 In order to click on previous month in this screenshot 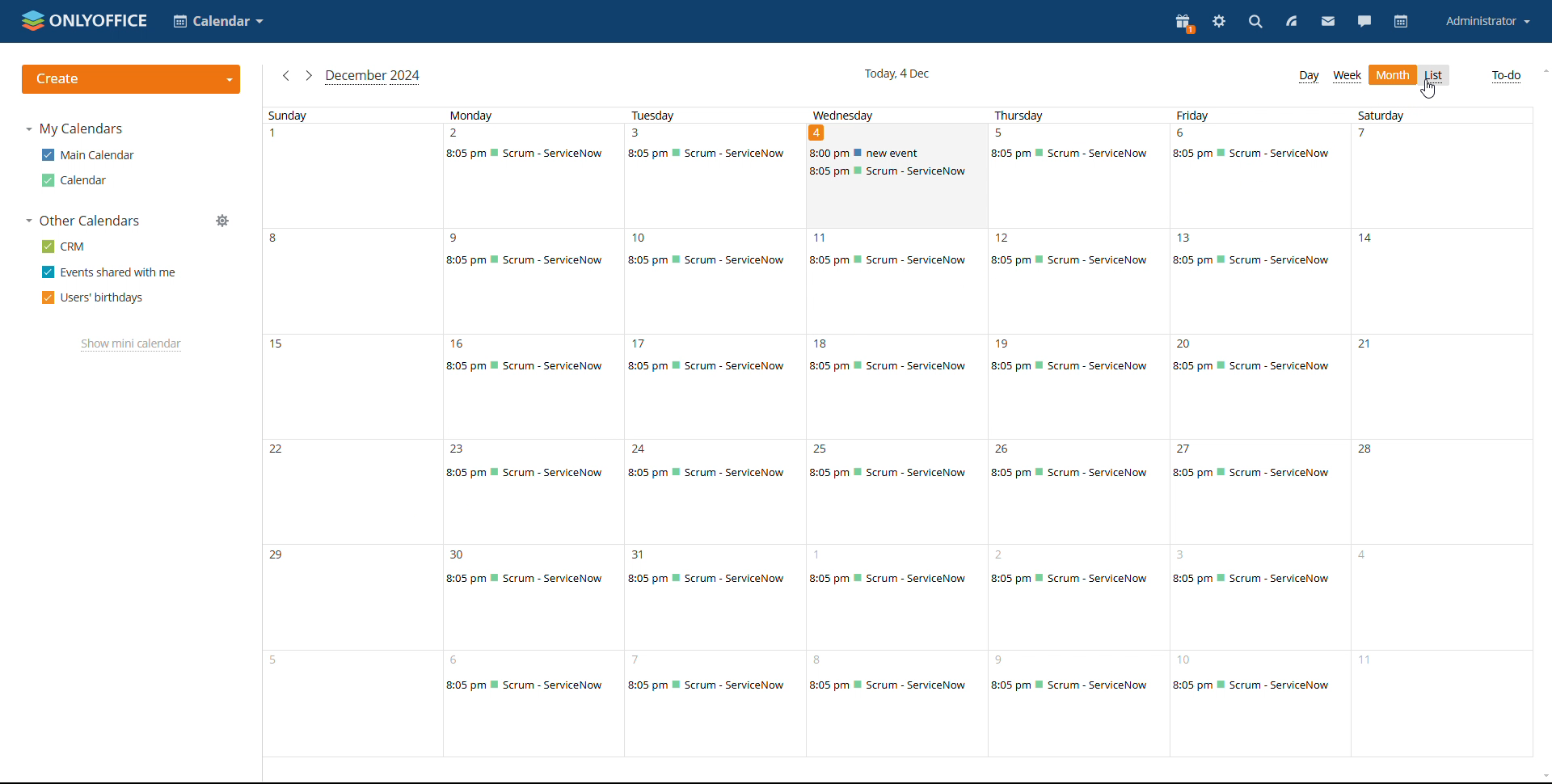, I will do `click(308, 76)`.